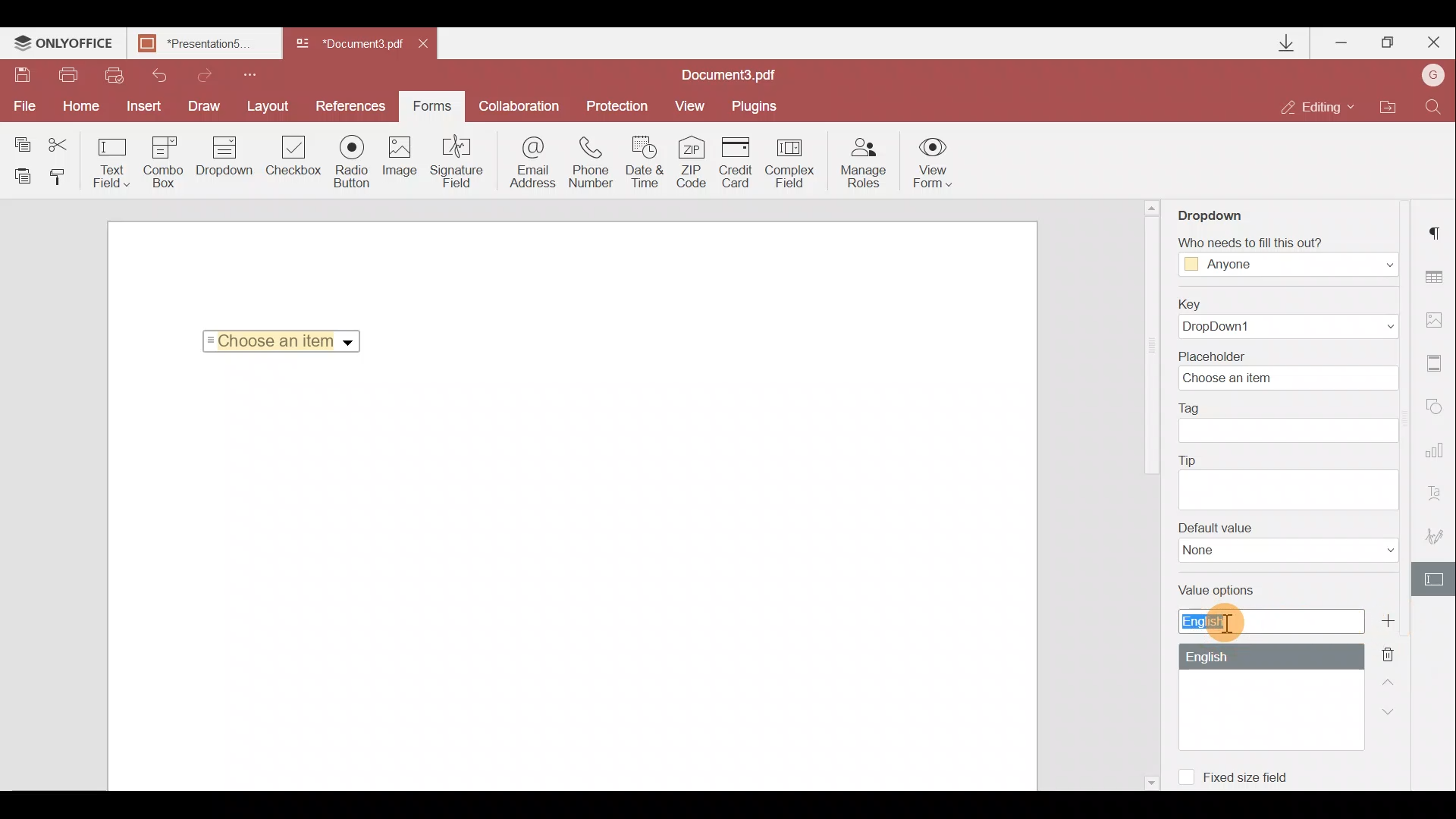 This screenshot has height=819, width=1456. Describe the element at coordinates (1436, 277) in the screenshot. I see `Table settings` at that location.